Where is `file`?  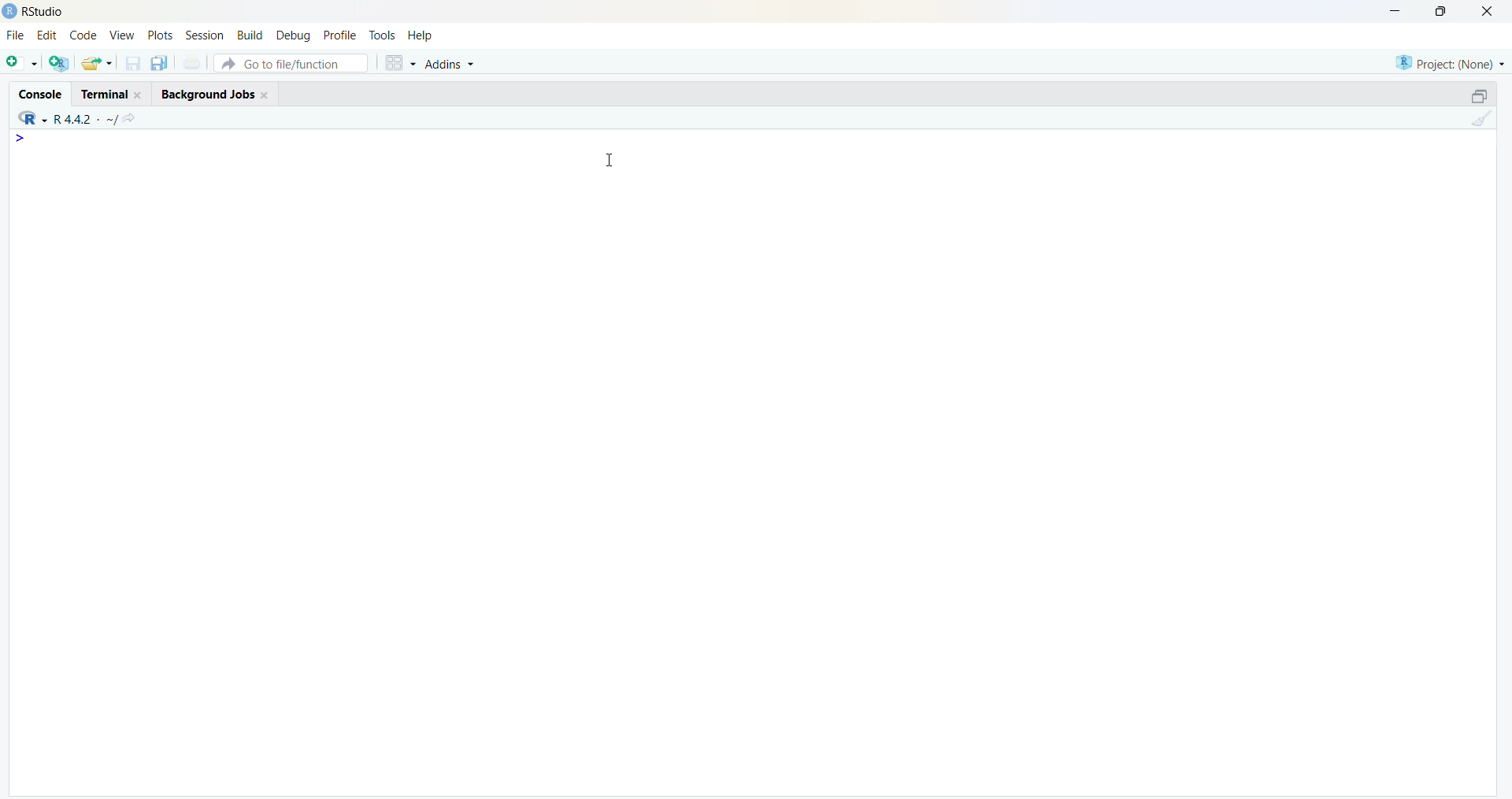
file is located at coordinates (16, 34).